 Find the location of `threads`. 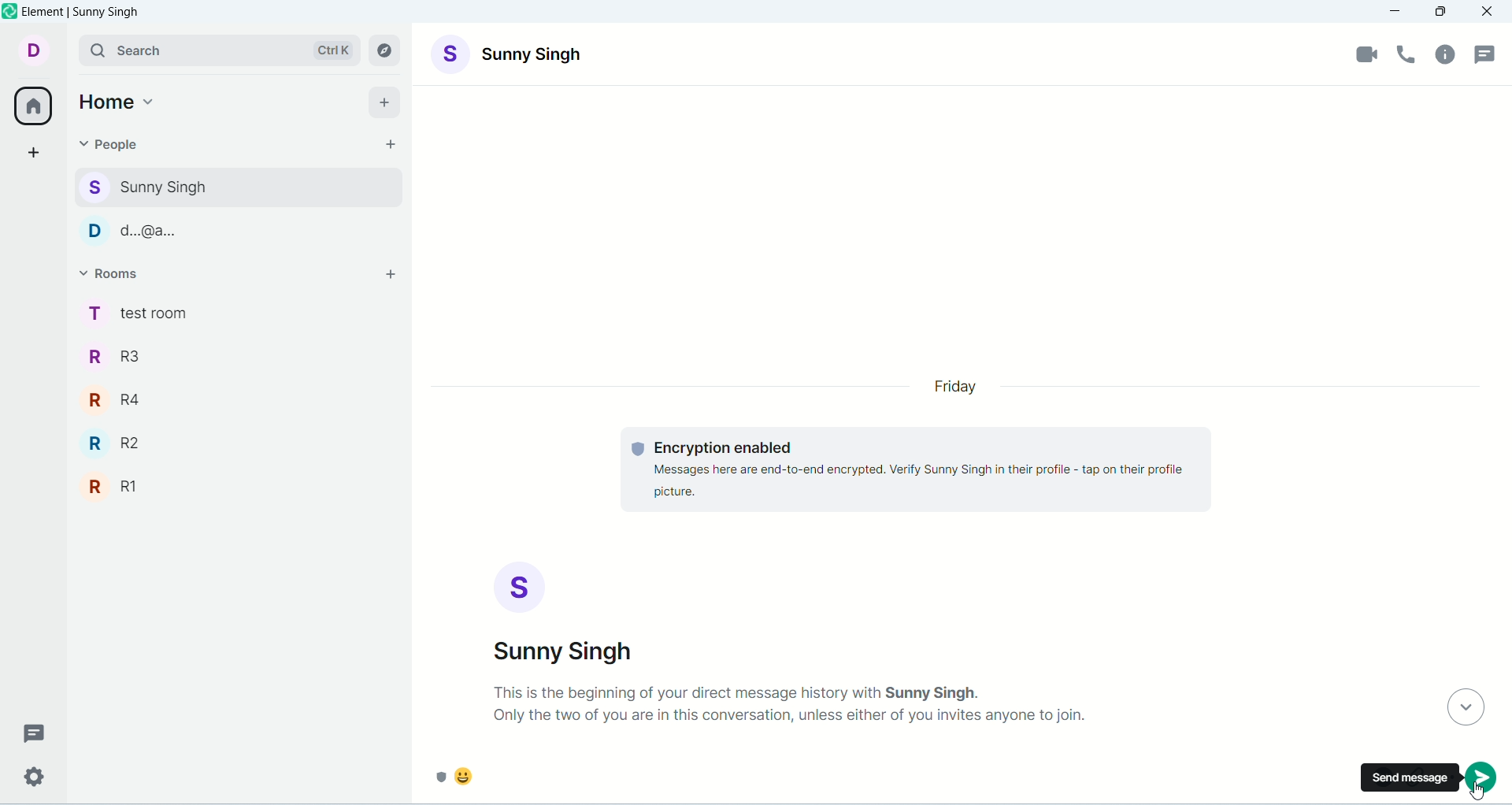

threads is located at coordinates (29, 733).